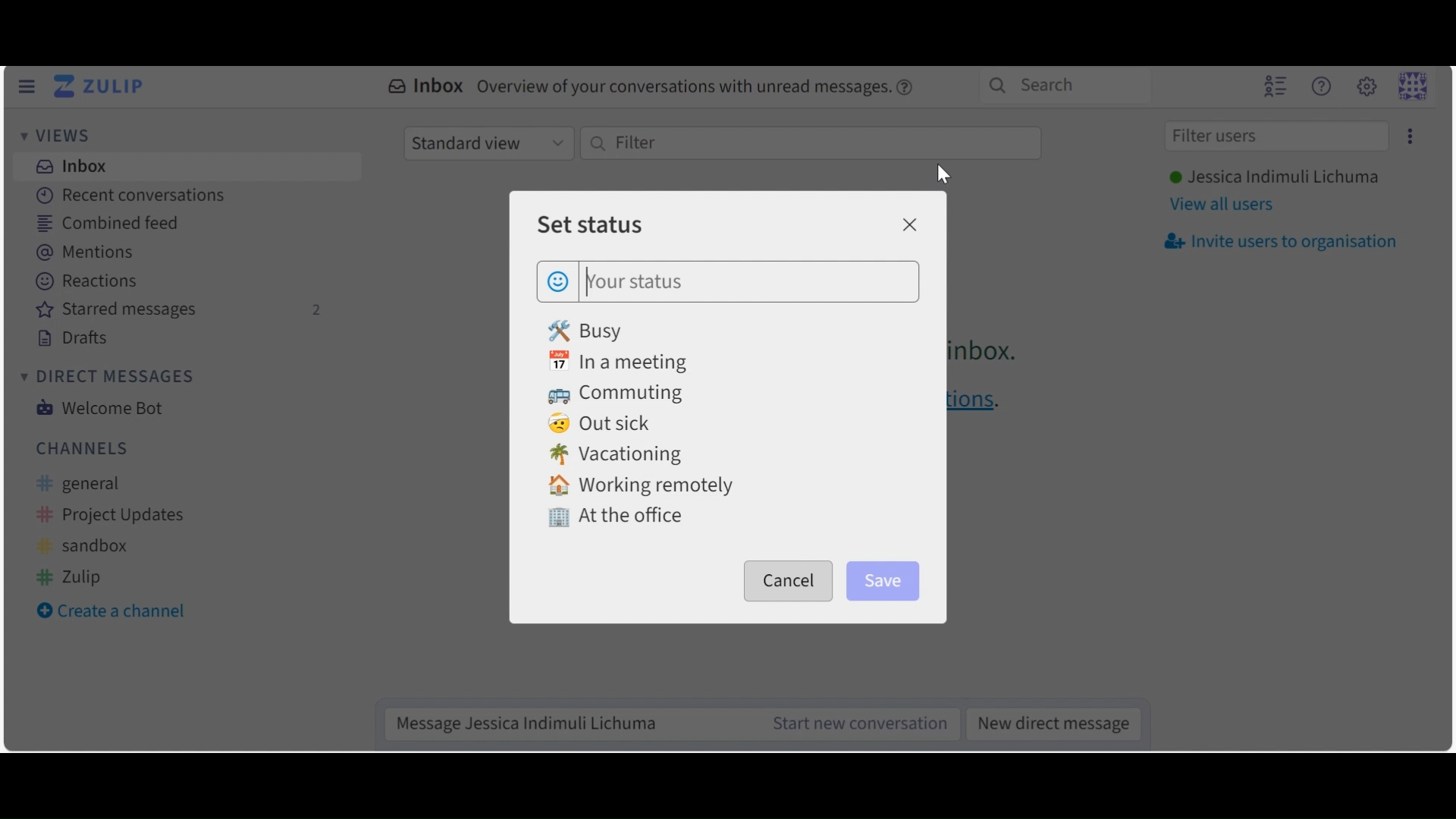  What do you see at coordinates (1407, 136) in the screenshot?
I see `Invite users to organisation` at bounding box center [1407, 136].